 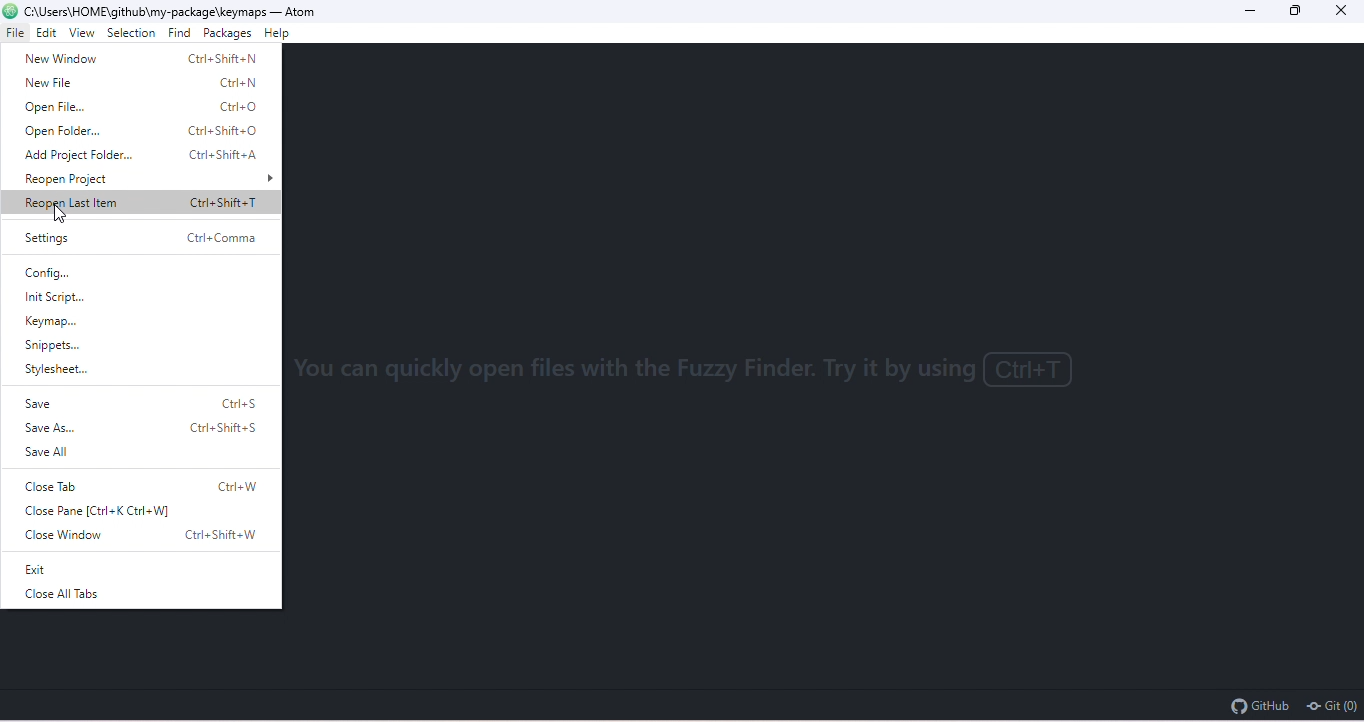 I want to click on minimize, so click(x=1246, y=13).